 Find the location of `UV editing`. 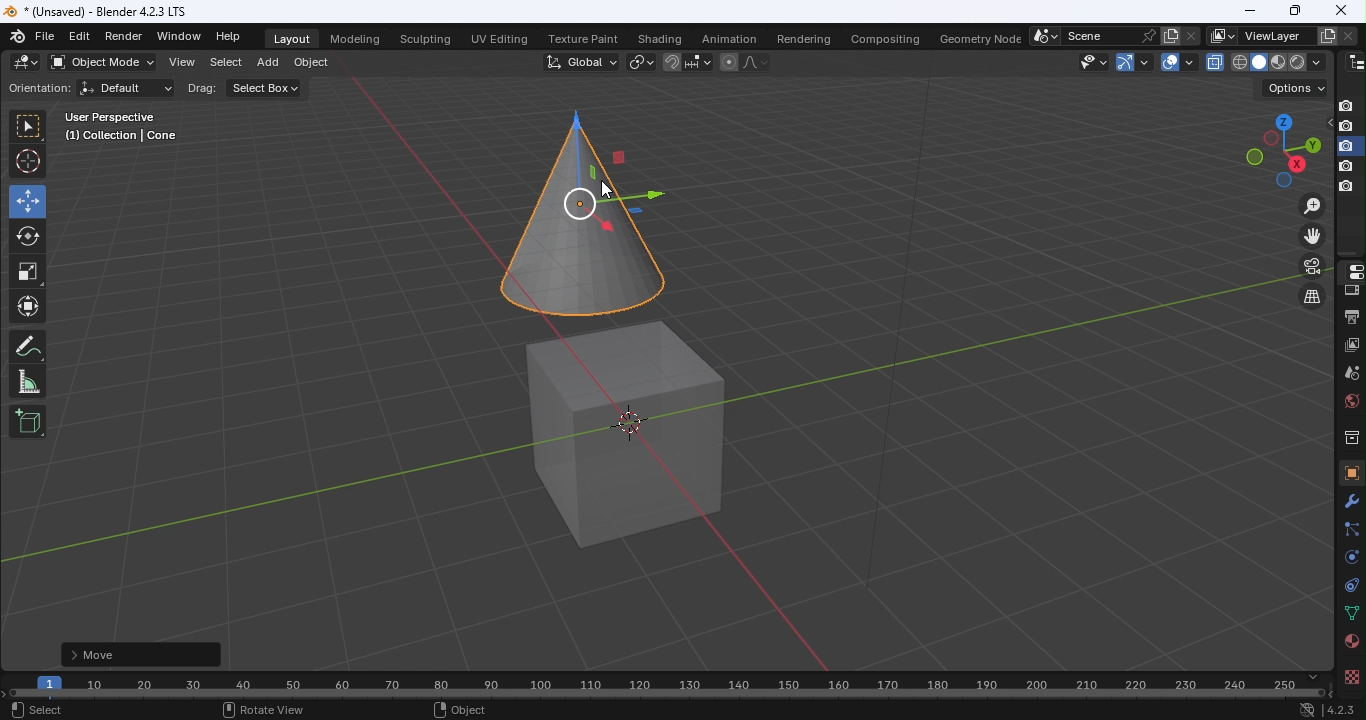

UV editing is located at coordinates (503, 36).